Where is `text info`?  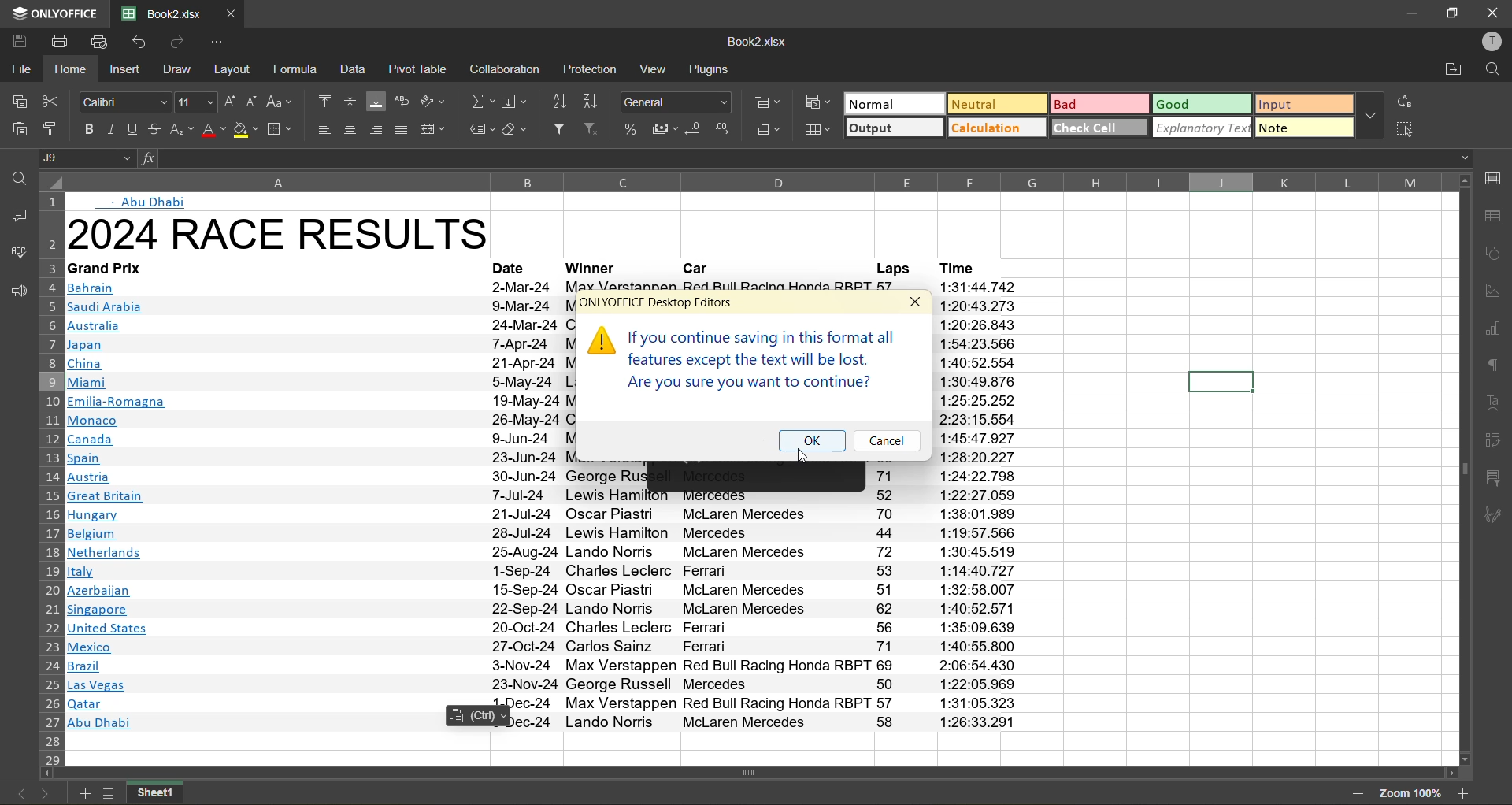
text info is located at coordinates (315, 440).